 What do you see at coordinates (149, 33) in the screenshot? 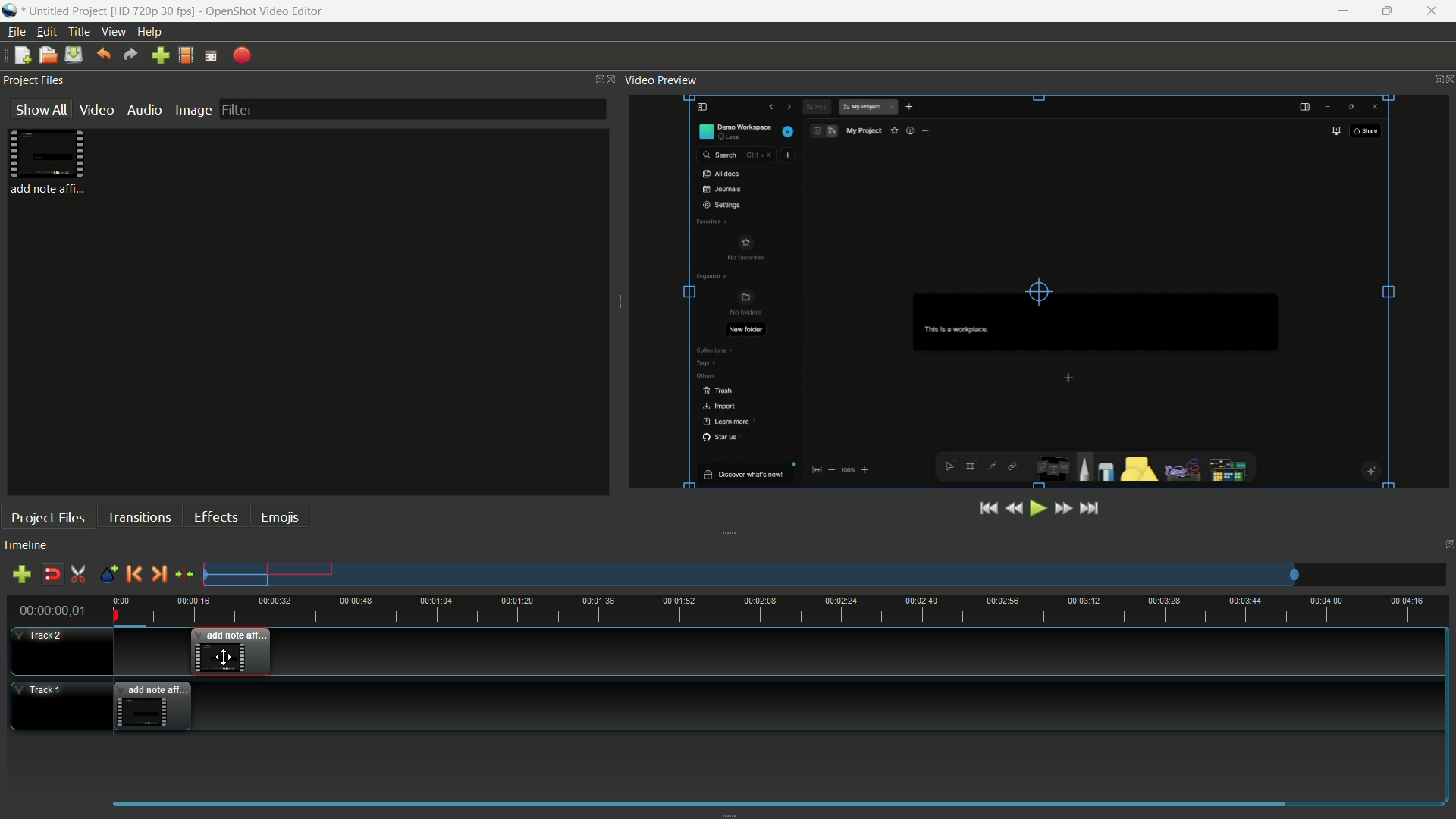
I see `help menu` at bounding box center [149, 33].